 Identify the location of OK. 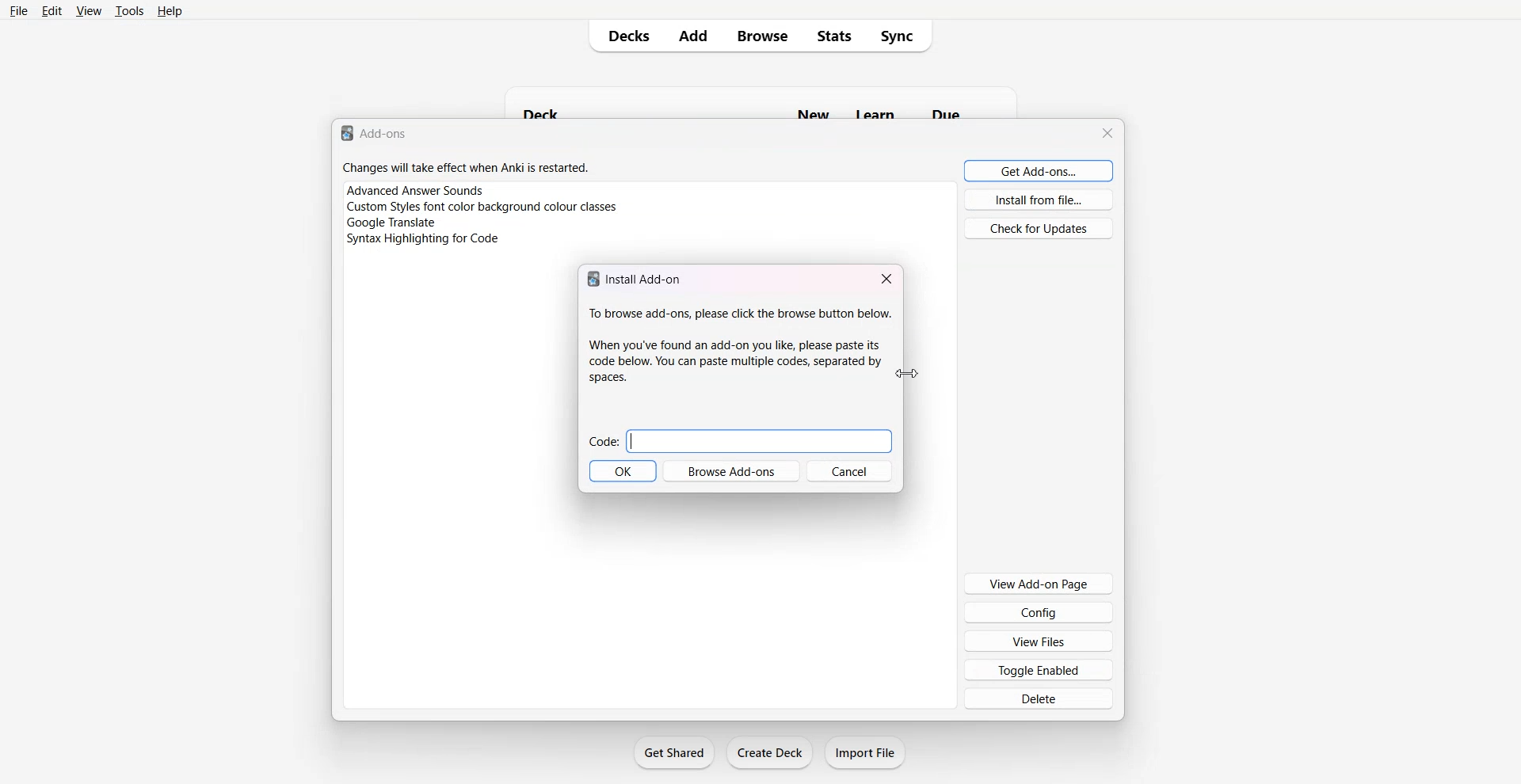
(623, 471).